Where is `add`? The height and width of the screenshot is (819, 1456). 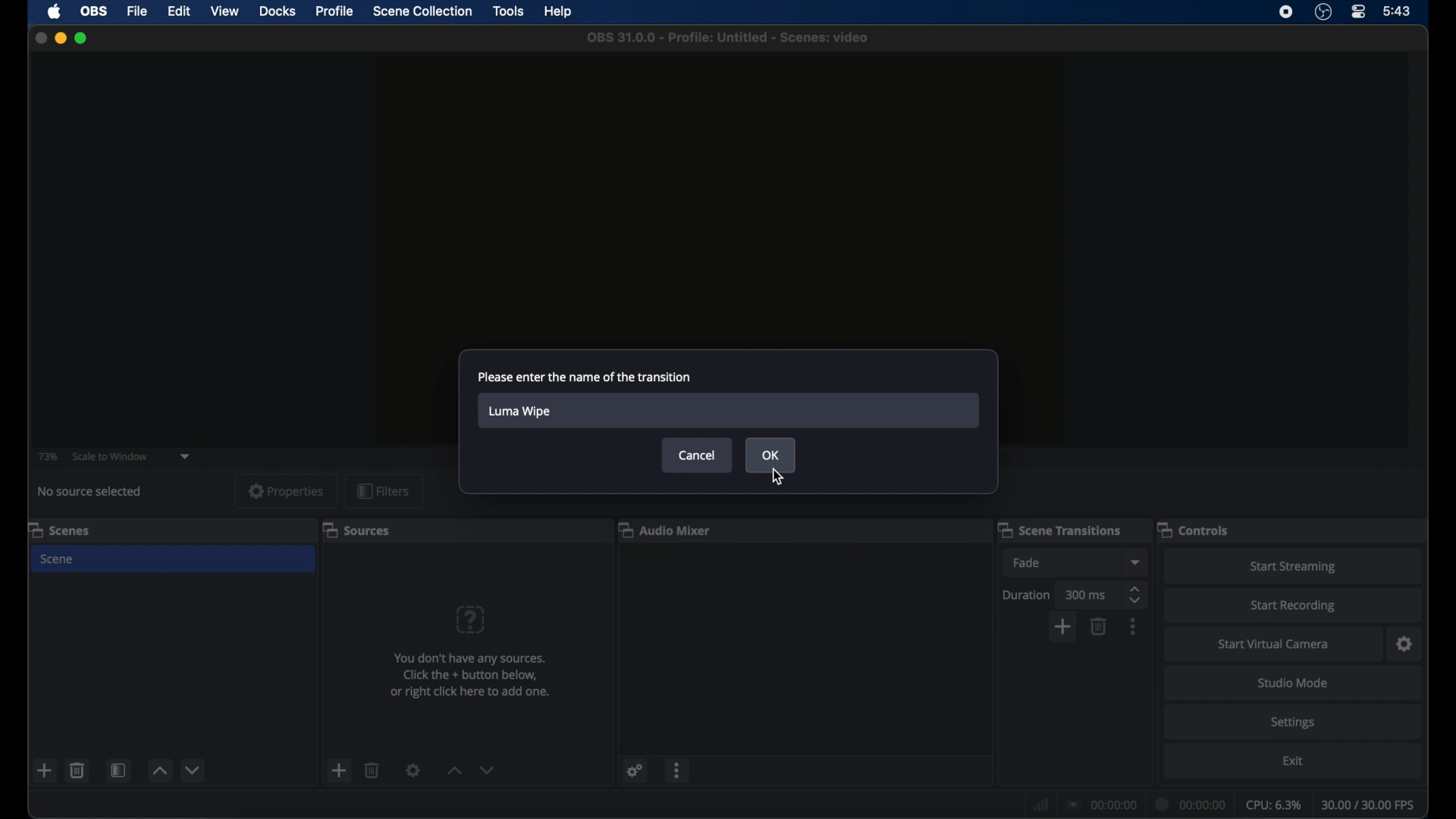 add is located at coordinates (45, 770).